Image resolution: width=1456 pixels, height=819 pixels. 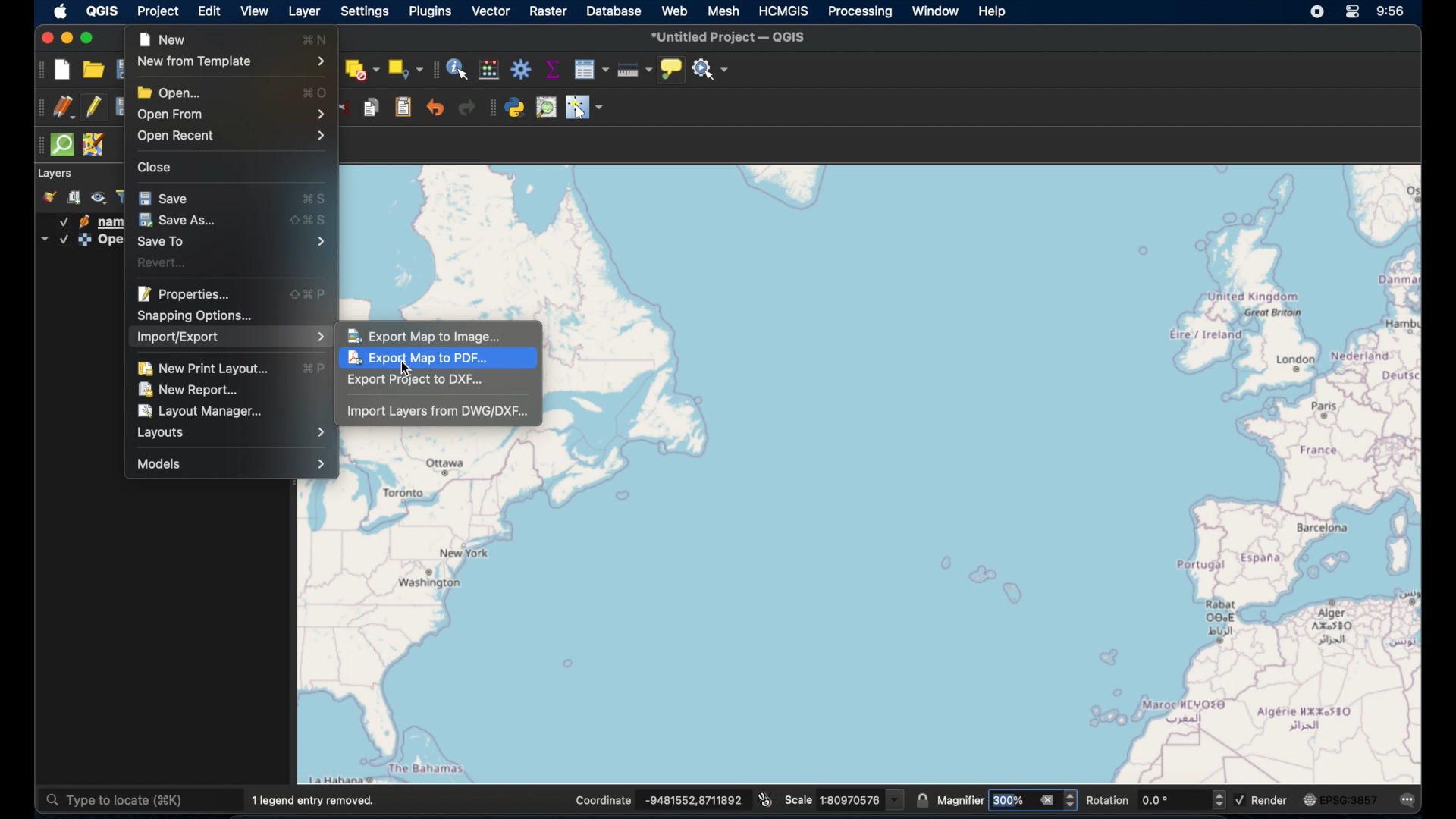 I want to click on switches cursor to configurable pointer, so click(x=586, y=109).